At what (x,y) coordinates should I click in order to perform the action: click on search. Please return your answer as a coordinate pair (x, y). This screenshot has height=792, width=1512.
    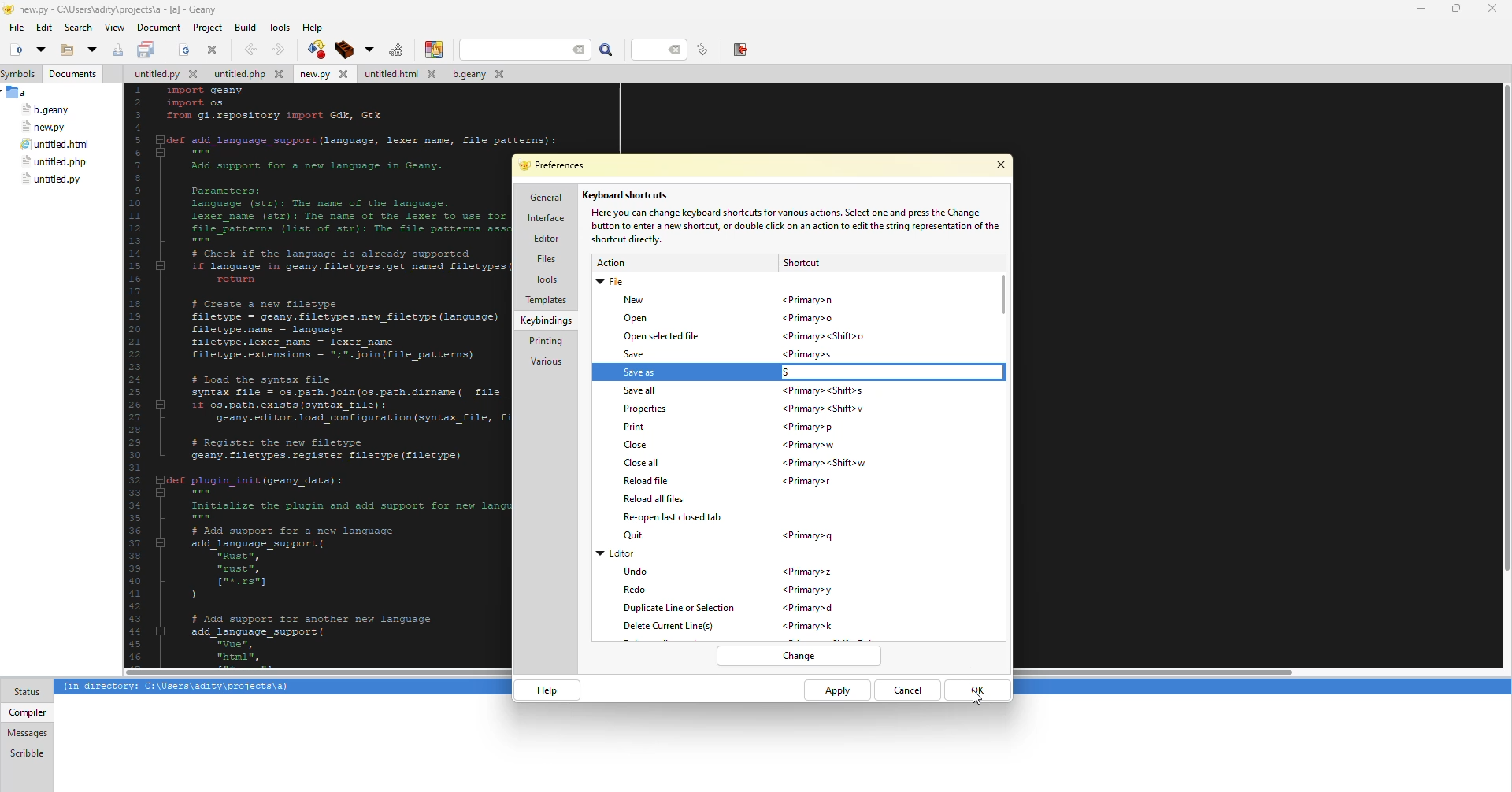
    Looking at the image, I should click on (79, 28).